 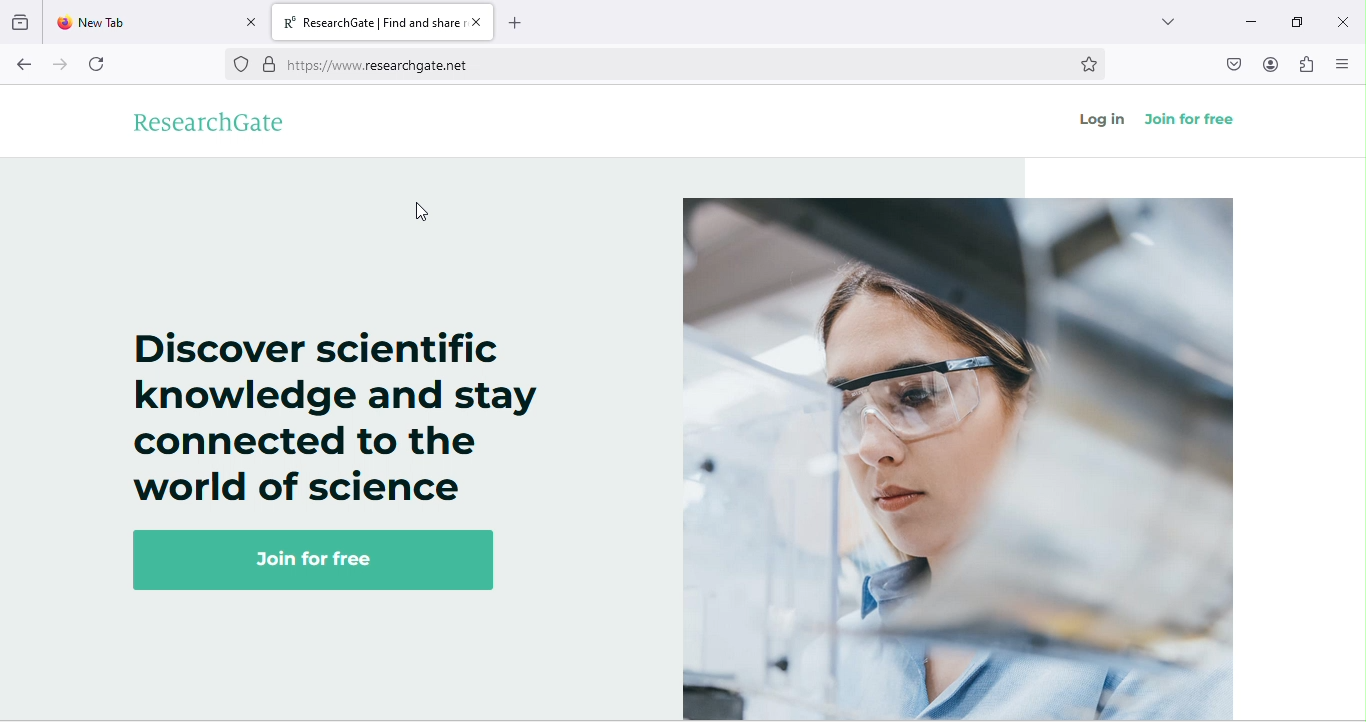 I want to click on account, so click(x=1269, y=62).